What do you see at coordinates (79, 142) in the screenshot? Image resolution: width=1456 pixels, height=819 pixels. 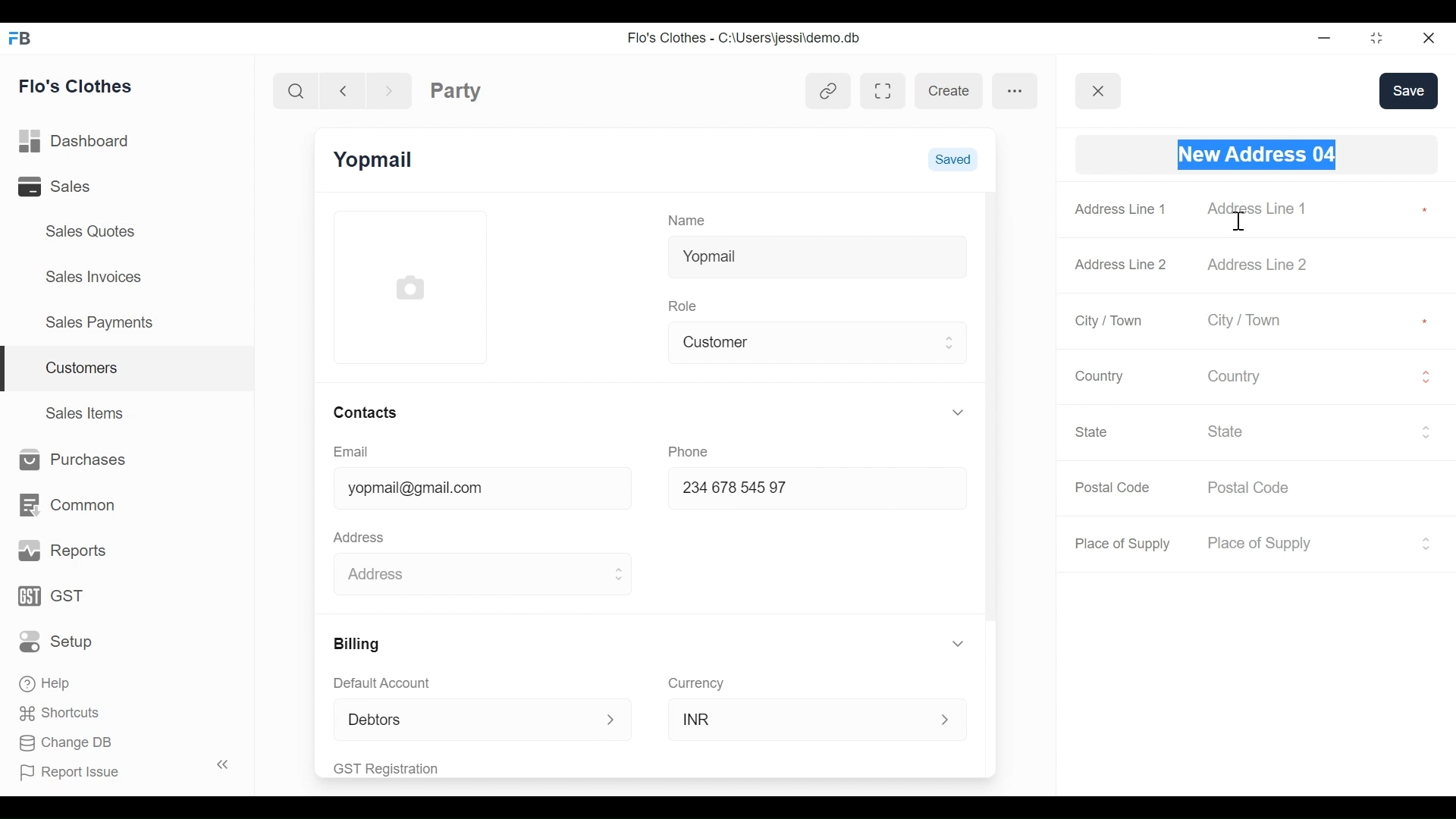 I see `Dashboard` at bounding box center [79, 142].